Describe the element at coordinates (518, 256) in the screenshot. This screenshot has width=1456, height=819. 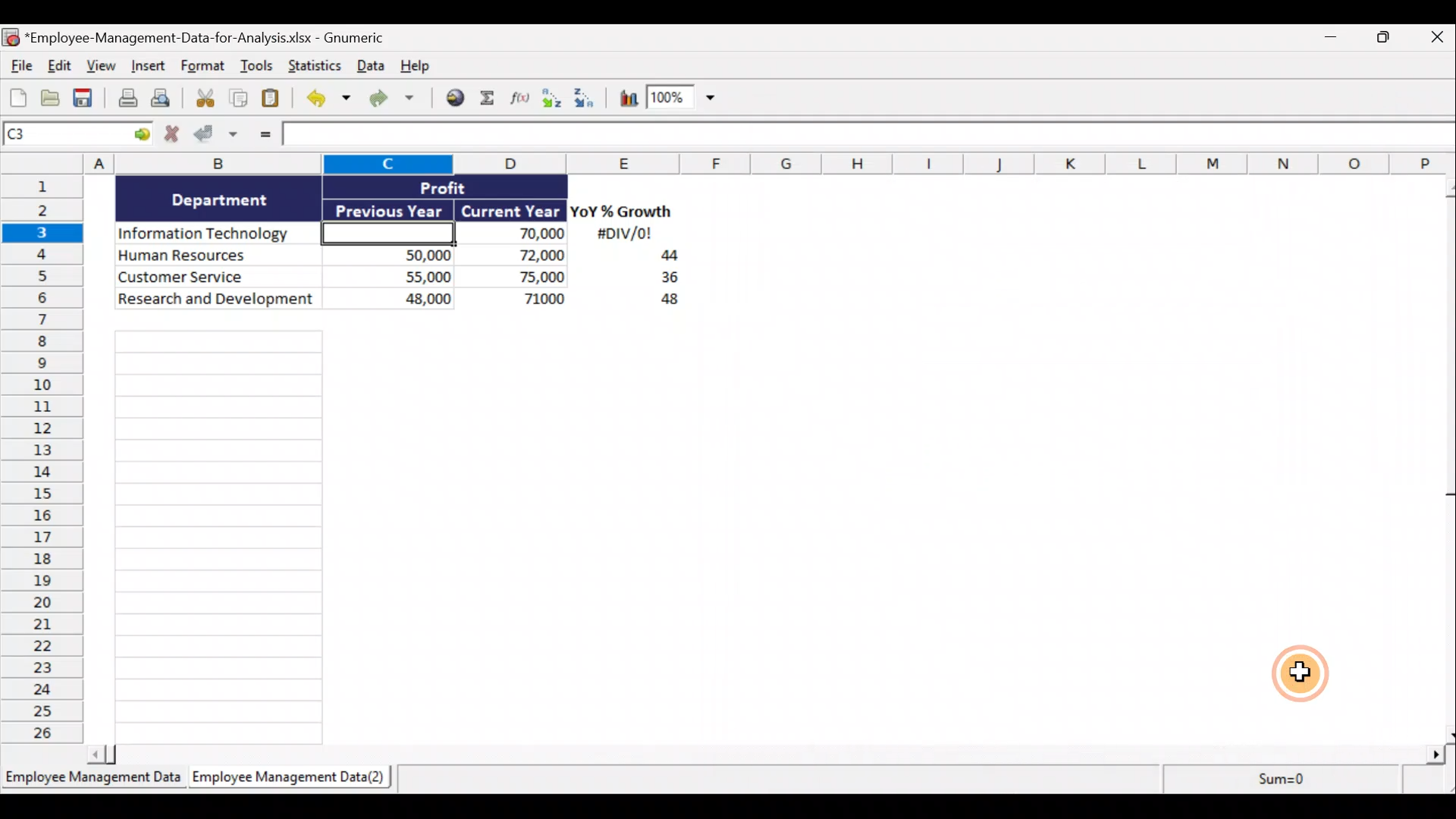
I see `72,000` at that location.